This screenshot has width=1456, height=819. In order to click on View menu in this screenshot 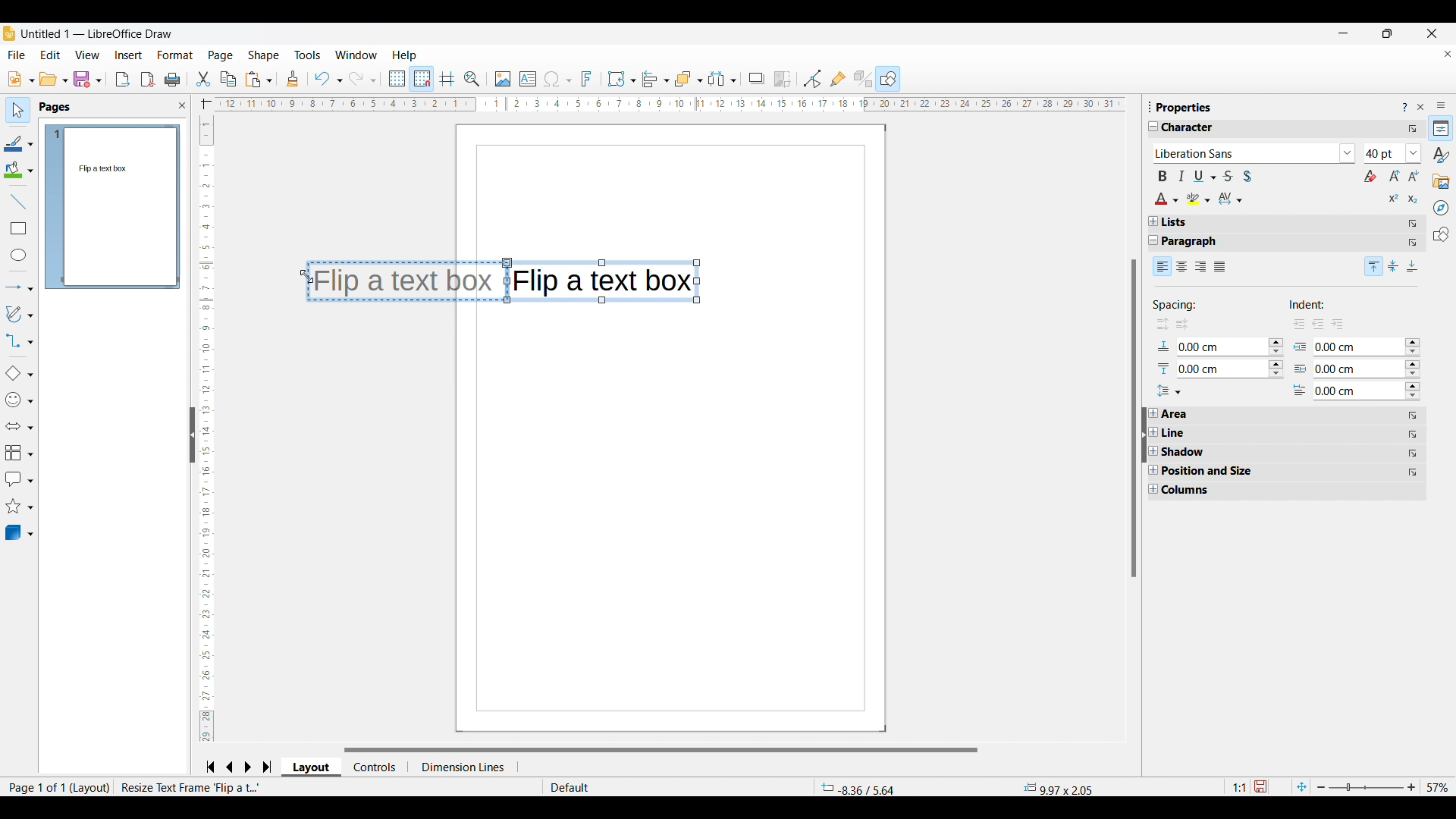, I will do `click(87, 55)`.